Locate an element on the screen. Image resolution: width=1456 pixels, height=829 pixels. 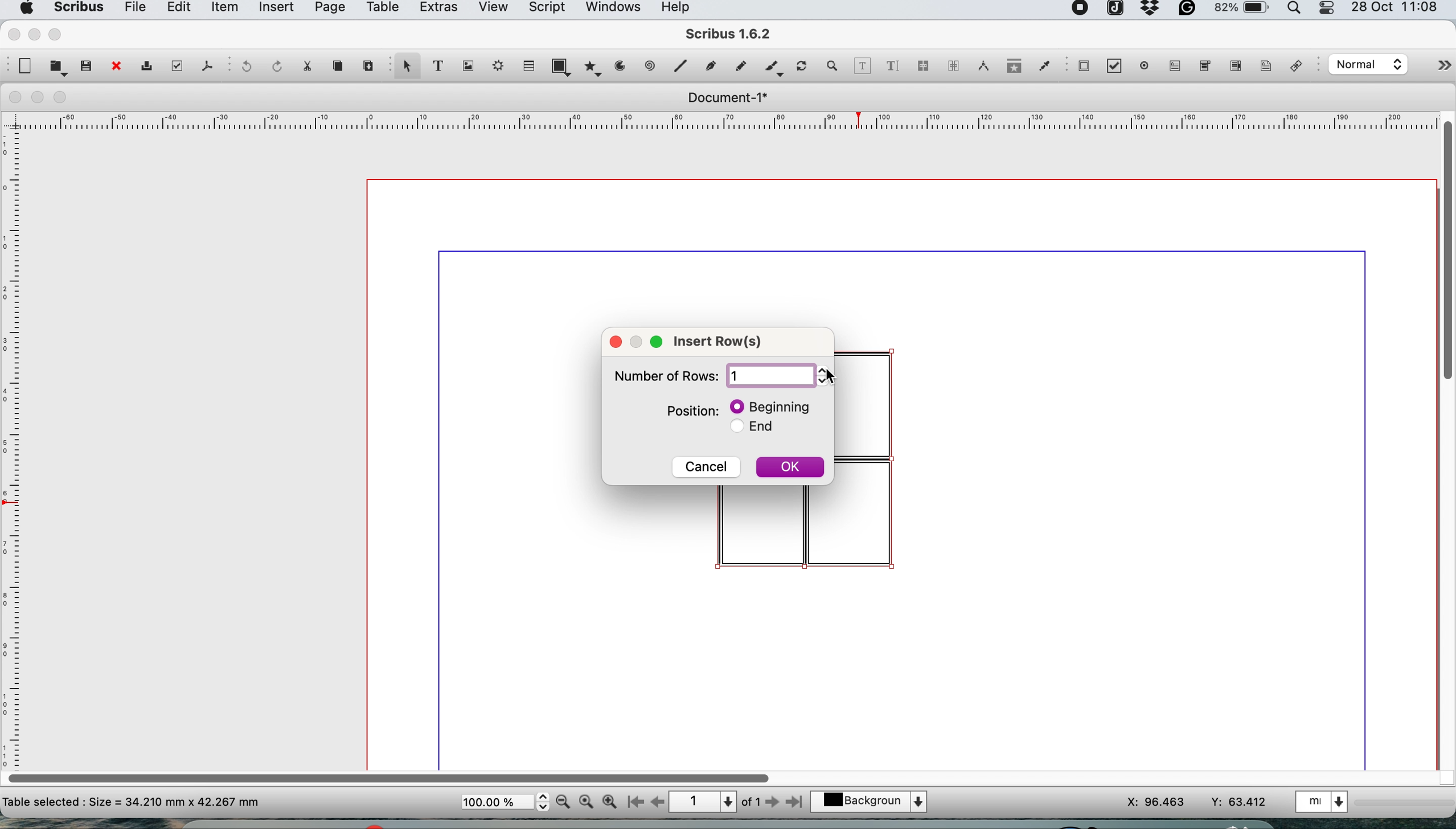
eyedropper is located at coordinates (1044, 68).